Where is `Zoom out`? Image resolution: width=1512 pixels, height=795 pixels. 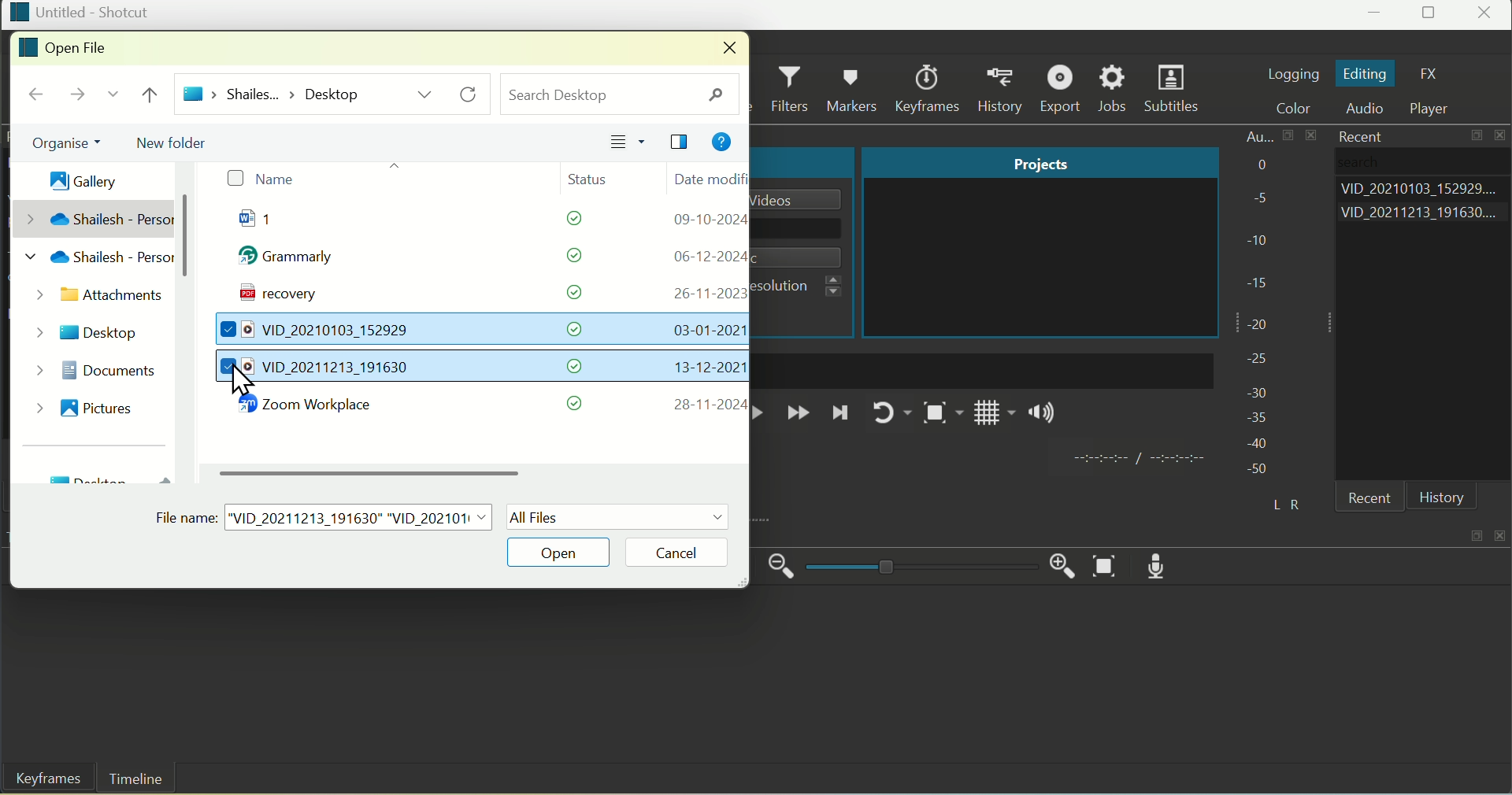 Zoom out is located at coordinates (782, 567).